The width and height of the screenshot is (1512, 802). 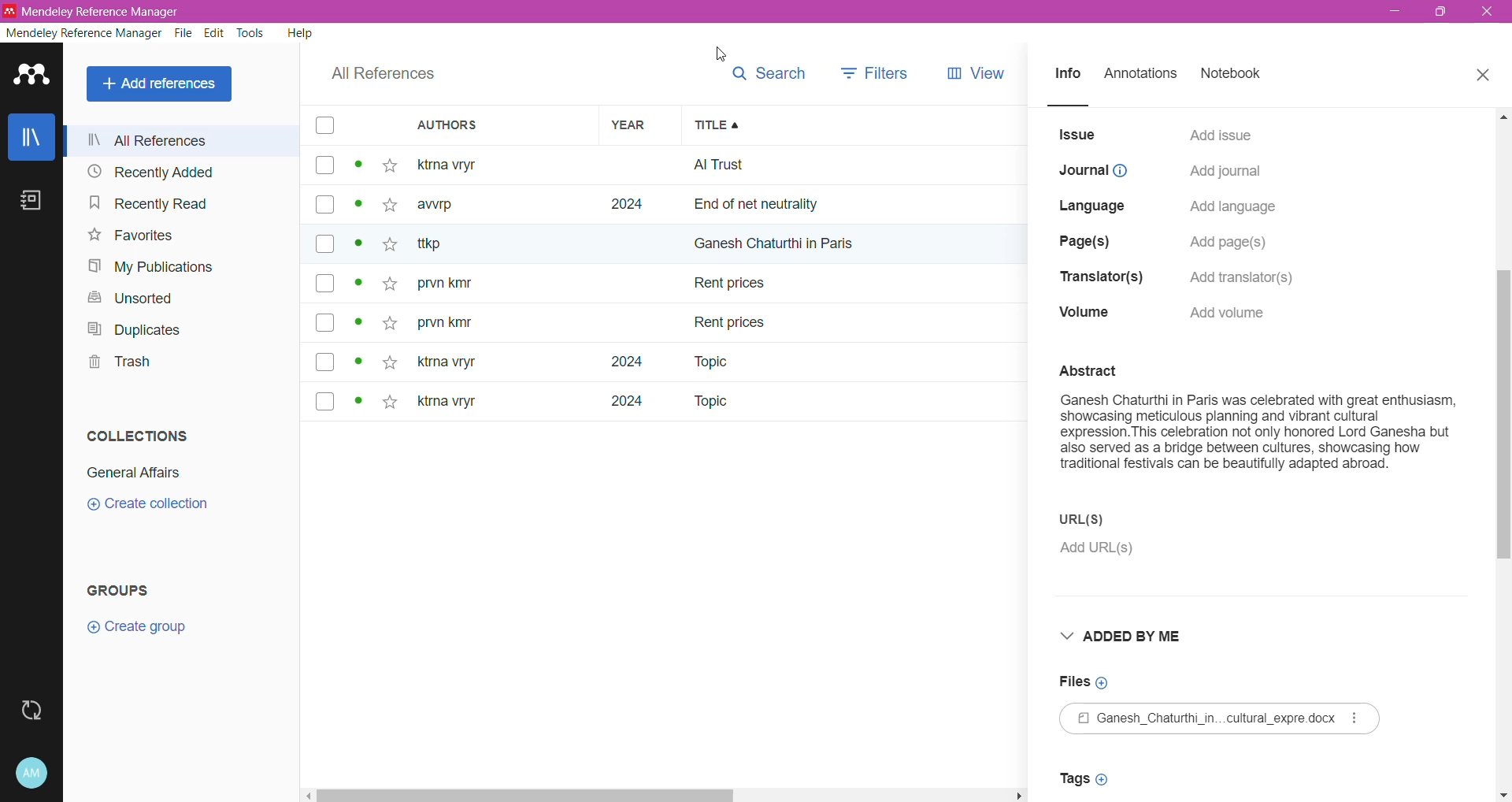 What do you see at coordinates (380, 76) in the screenshot?
I see `All References` at bounding box center [380, 76].